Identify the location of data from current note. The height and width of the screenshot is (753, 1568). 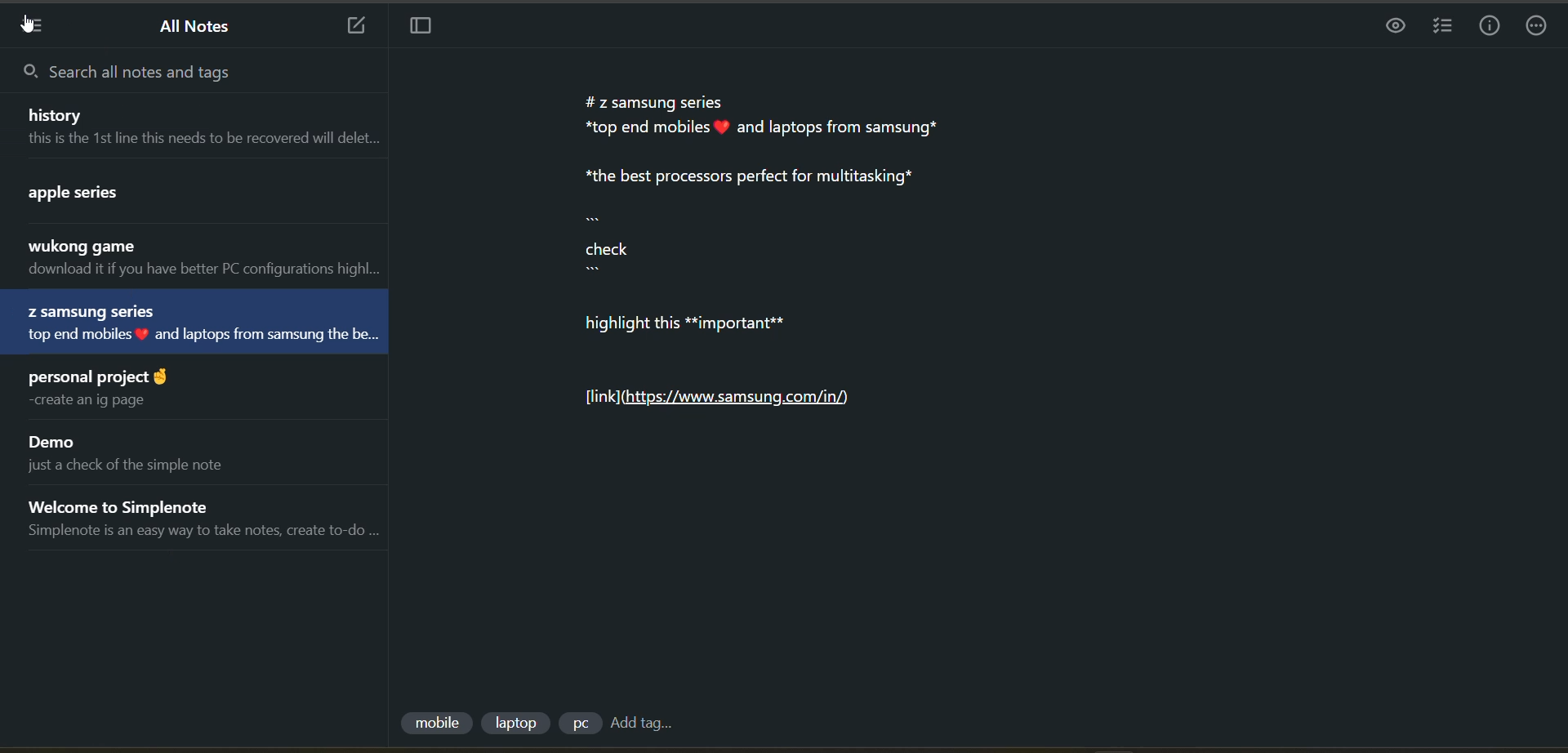
(813, 216).